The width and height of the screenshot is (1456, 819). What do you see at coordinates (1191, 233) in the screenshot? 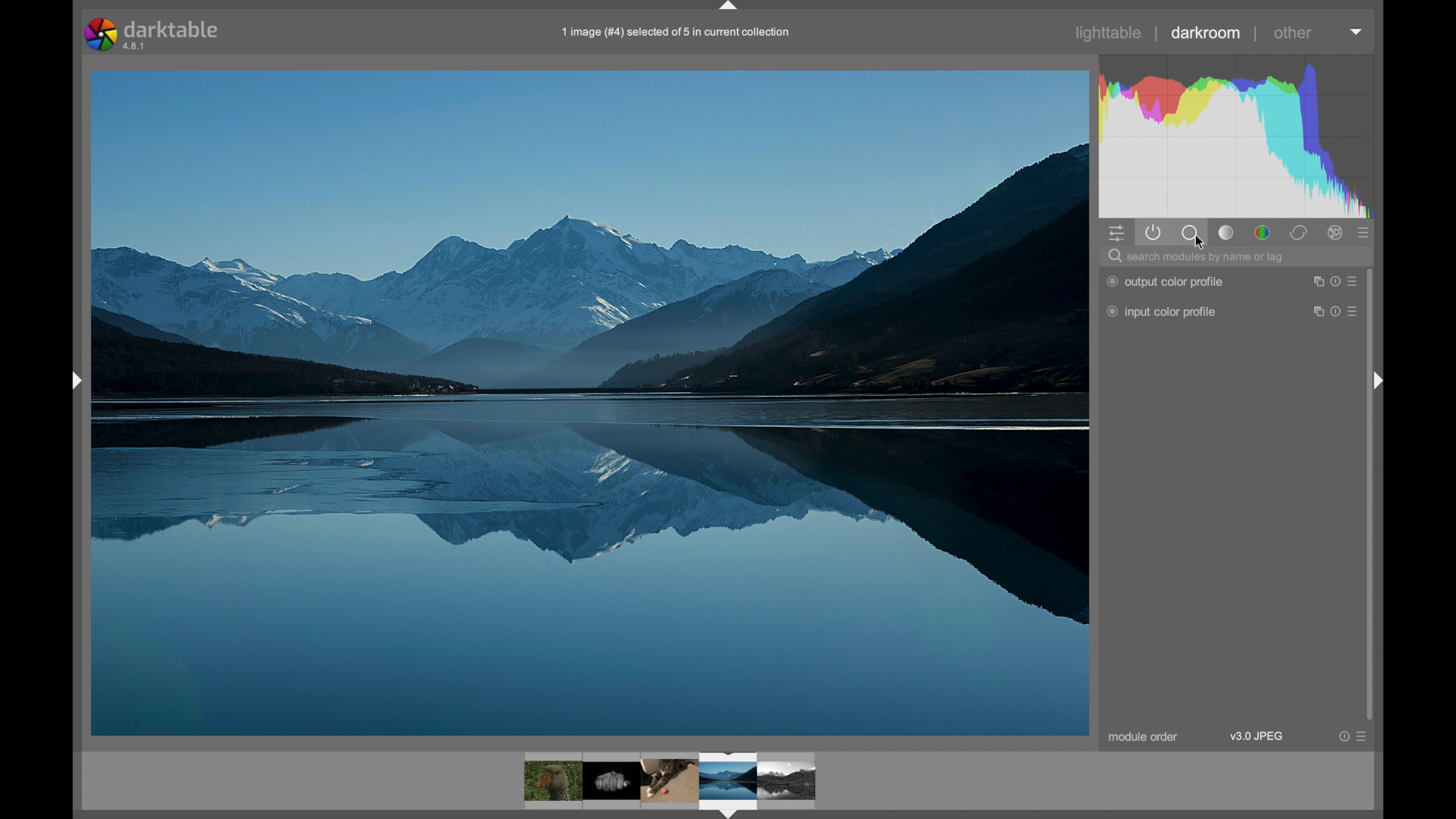
I see `base` at bounding box center [1191, 233].